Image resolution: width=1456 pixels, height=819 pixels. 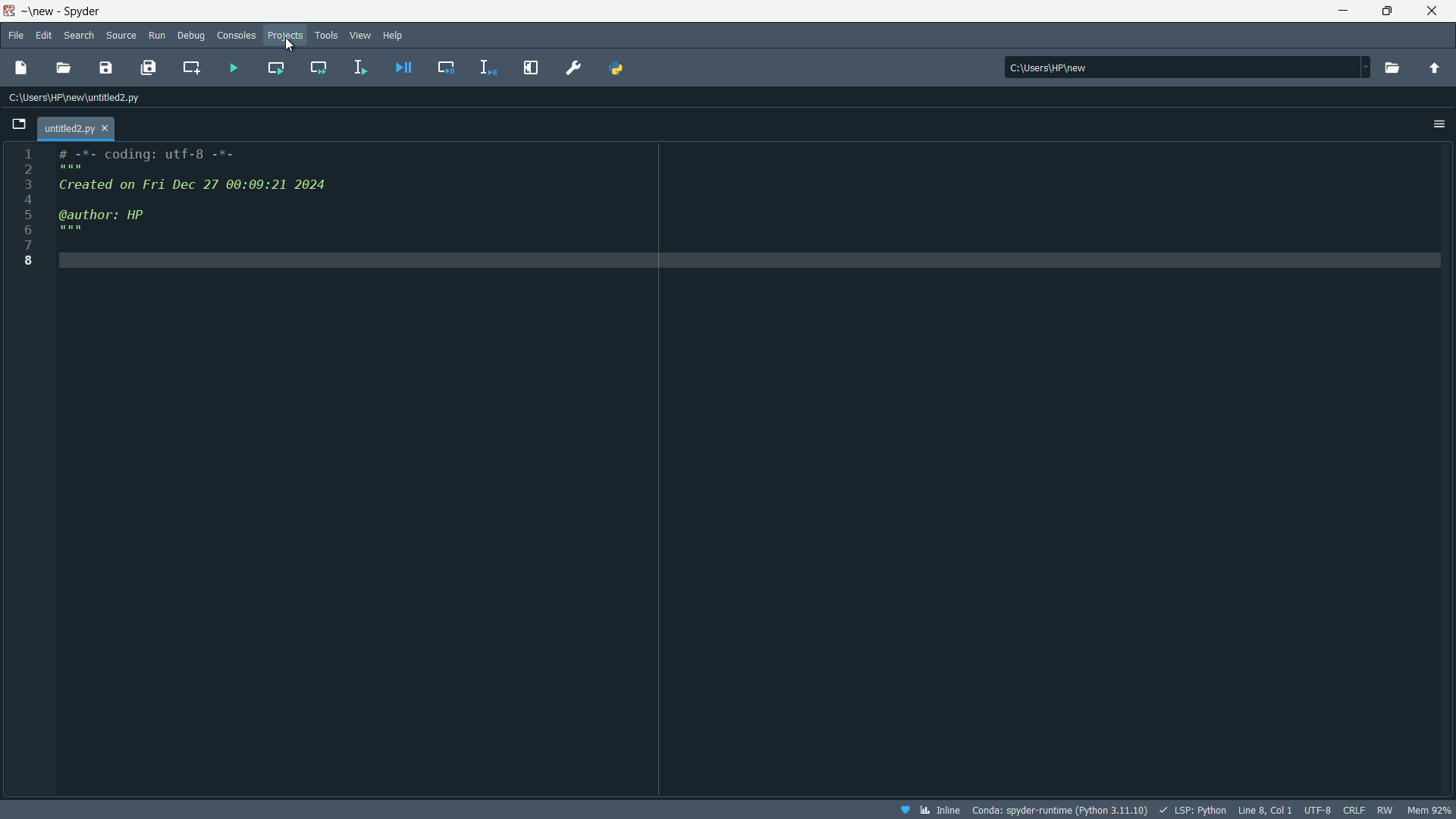 What do you see at coordinates (17, 34) in the screenshot?
I see `File` at bounding box center [17, 34].